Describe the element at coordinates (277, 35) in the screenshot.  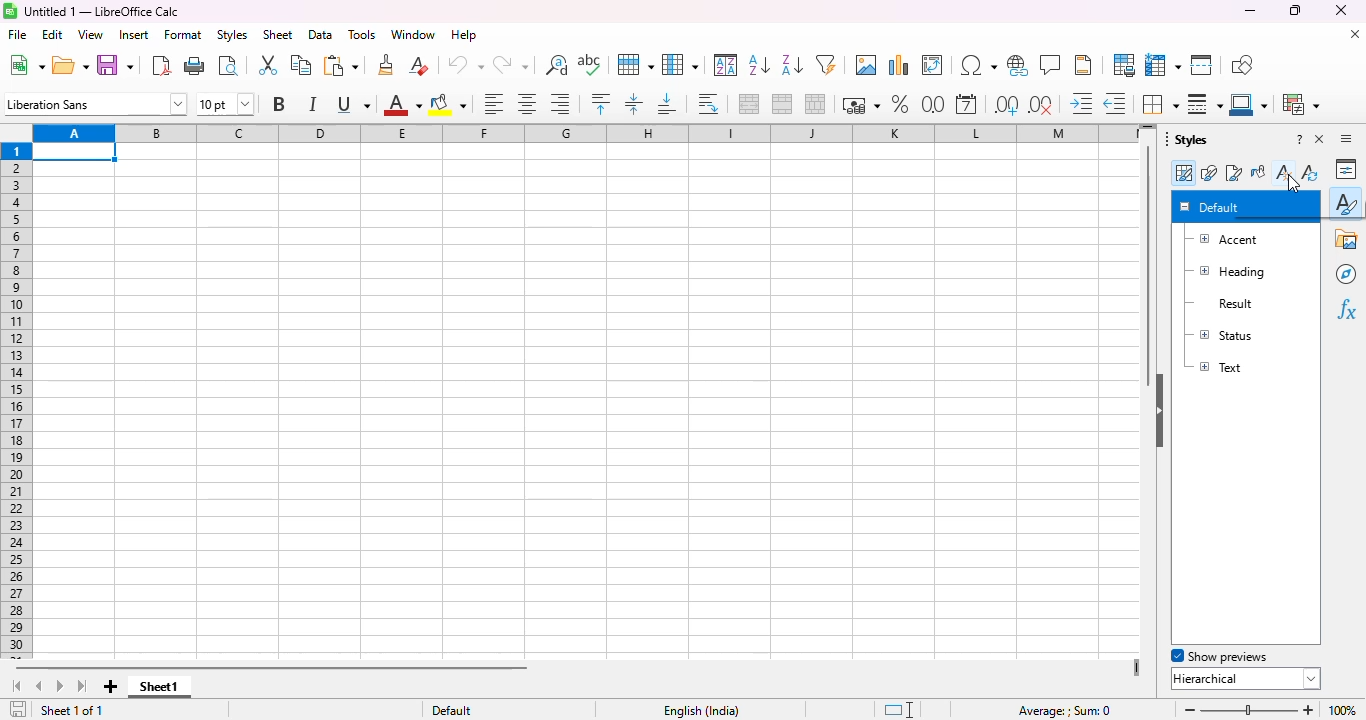
I see `sheet` at that location.